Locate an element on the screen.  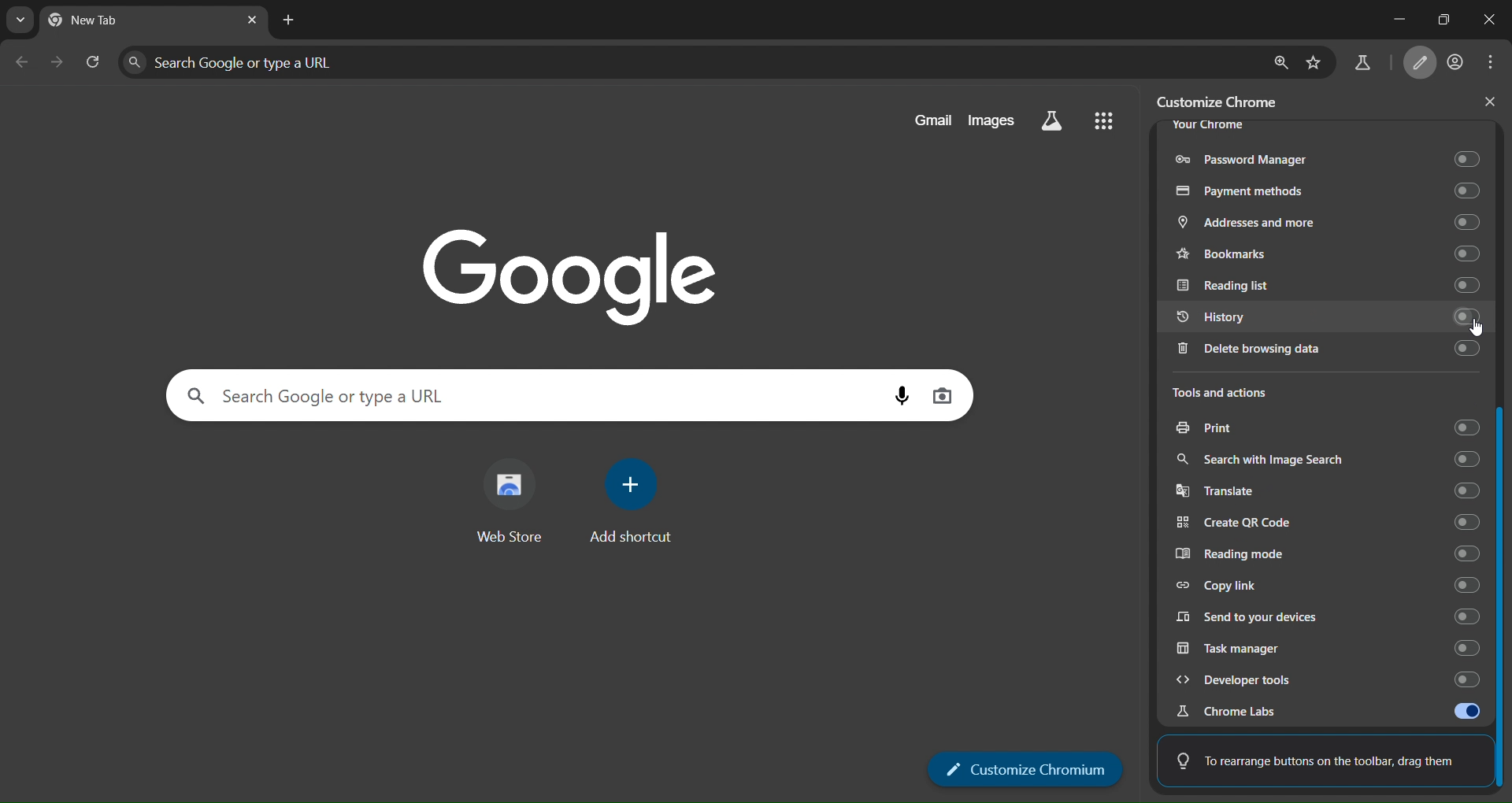
customize chromium is located at coordinates (1026, 769).